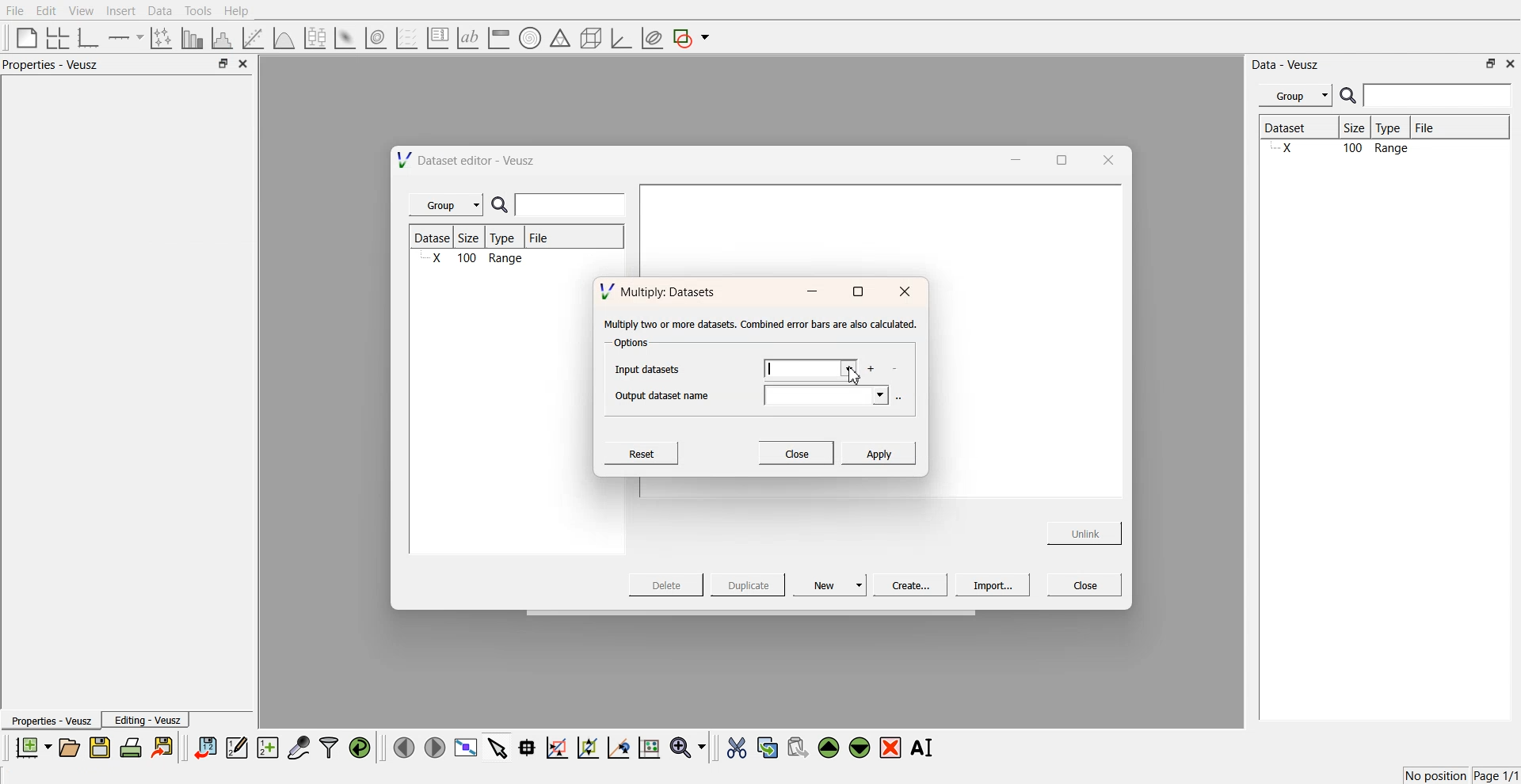  What do you see at coordinates (735, 748) in the screenshot?
I see `cut the selected widgets` at bounding box center [735, 748].